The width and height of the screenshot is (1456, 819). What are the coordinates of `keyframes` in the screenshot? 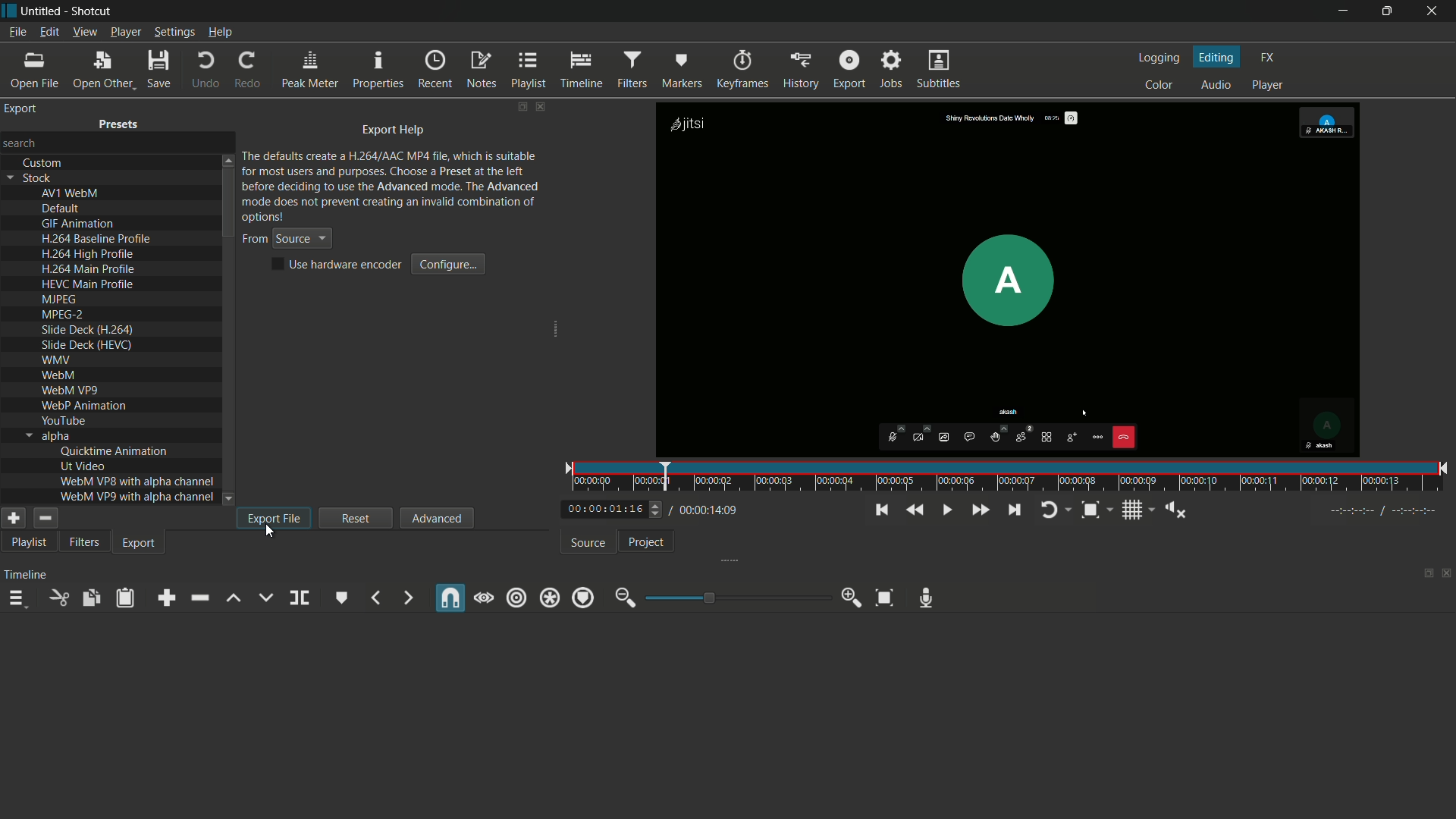 It's located at (743, 71).